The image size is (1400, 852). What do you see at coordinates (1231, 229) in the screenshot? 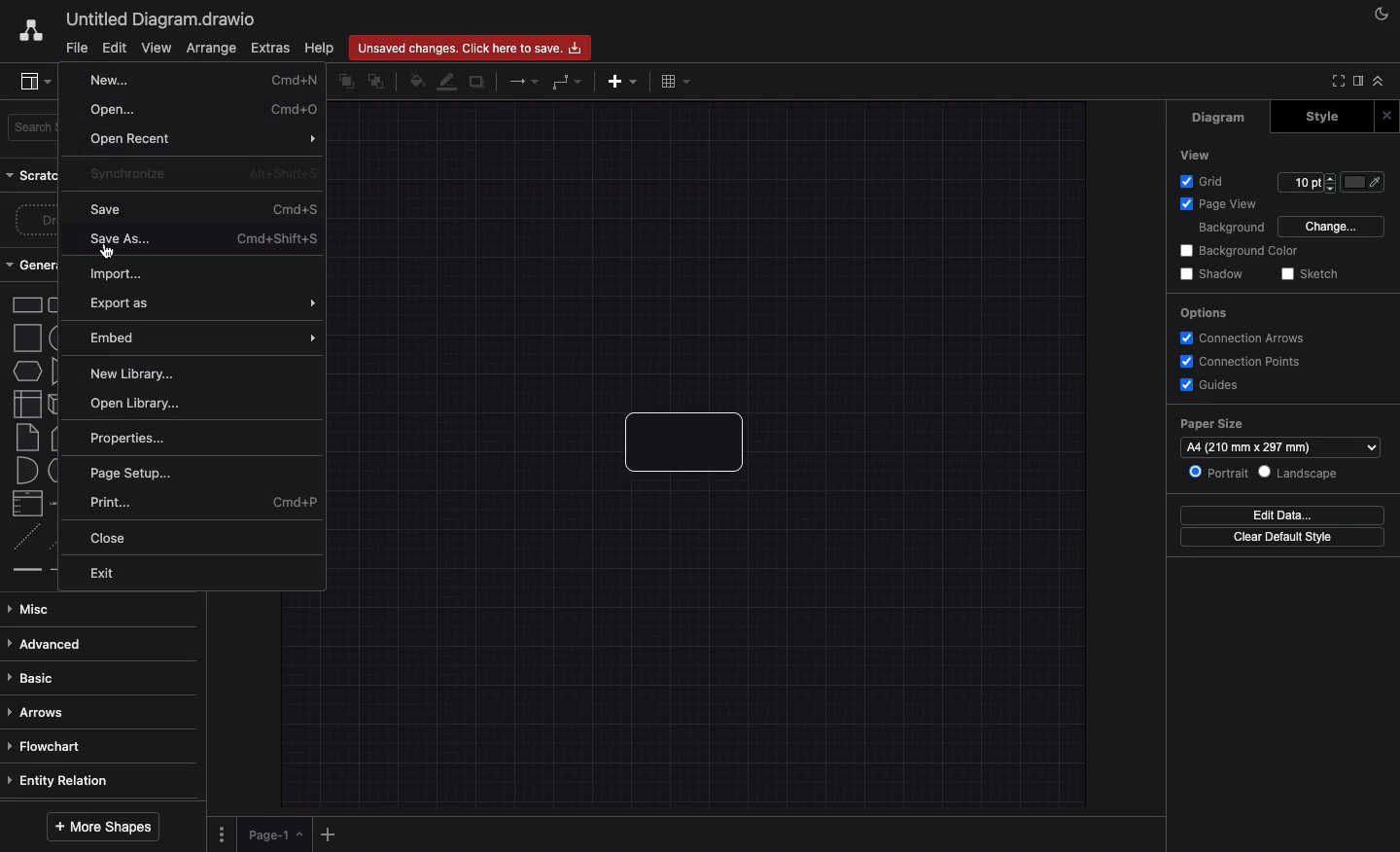
I see `Background` at bounding box center [1231, 229].